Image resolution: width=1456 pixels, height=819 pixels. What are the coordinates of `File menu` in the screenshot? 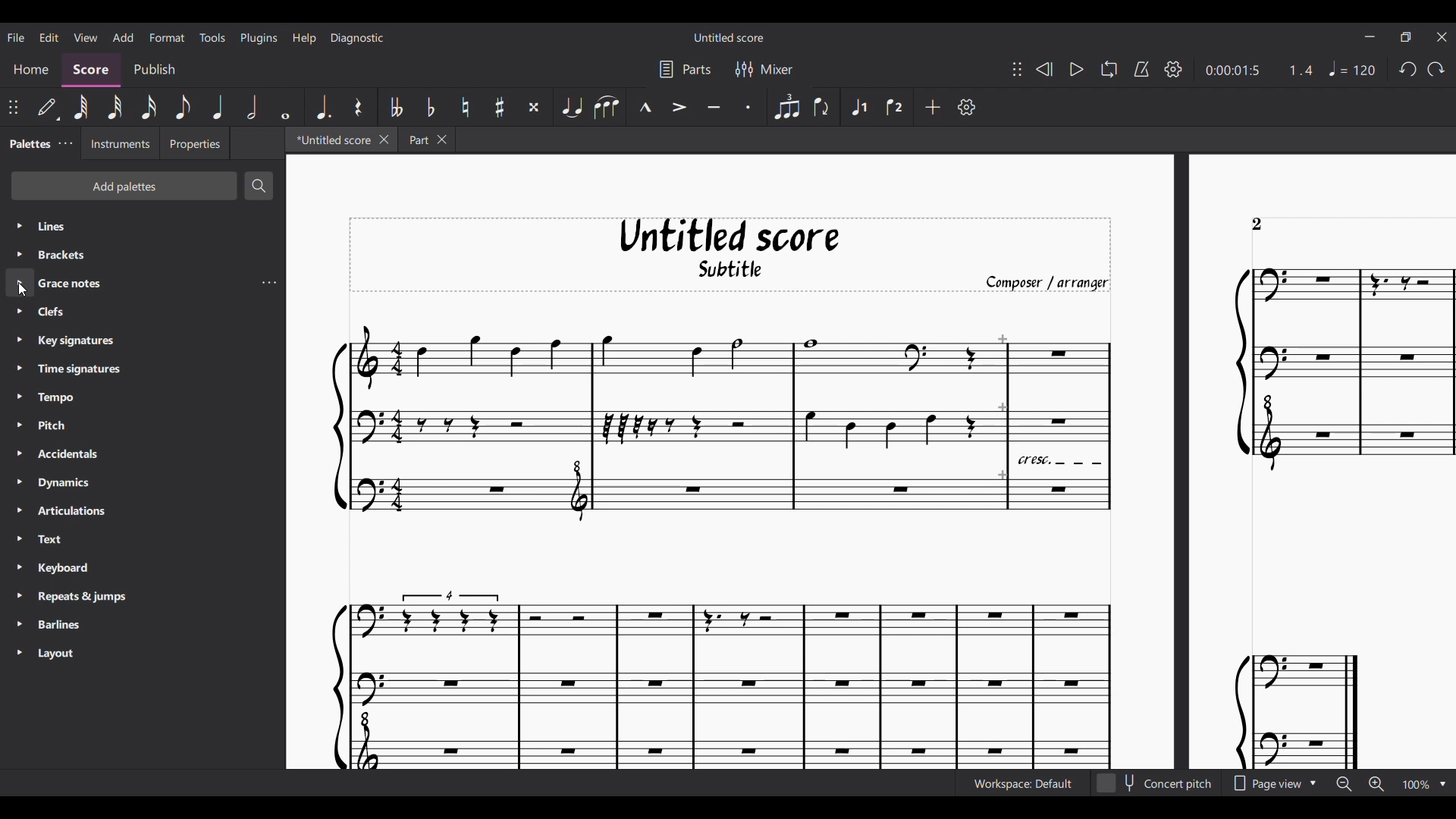 It's located at (16, 37).